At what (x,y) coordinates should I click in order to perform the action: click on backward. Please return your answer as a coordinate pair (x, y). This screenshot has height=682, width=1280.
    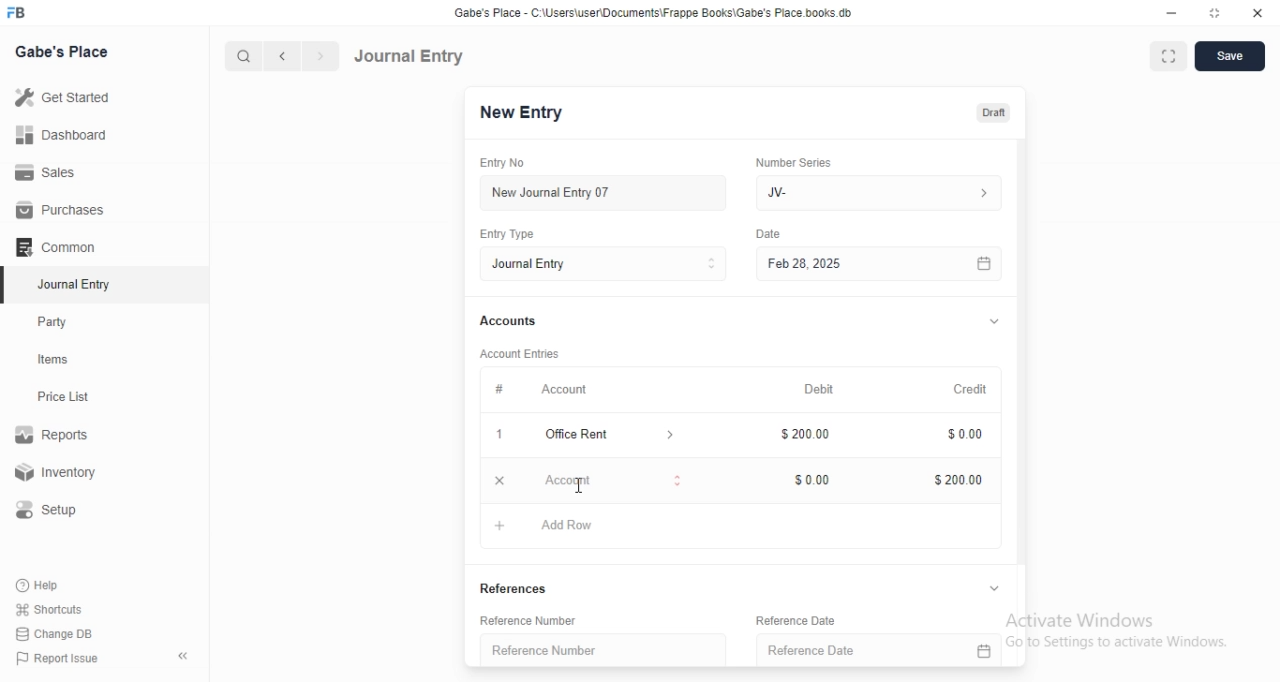
    Looking at the image, I should click on (281, 56).